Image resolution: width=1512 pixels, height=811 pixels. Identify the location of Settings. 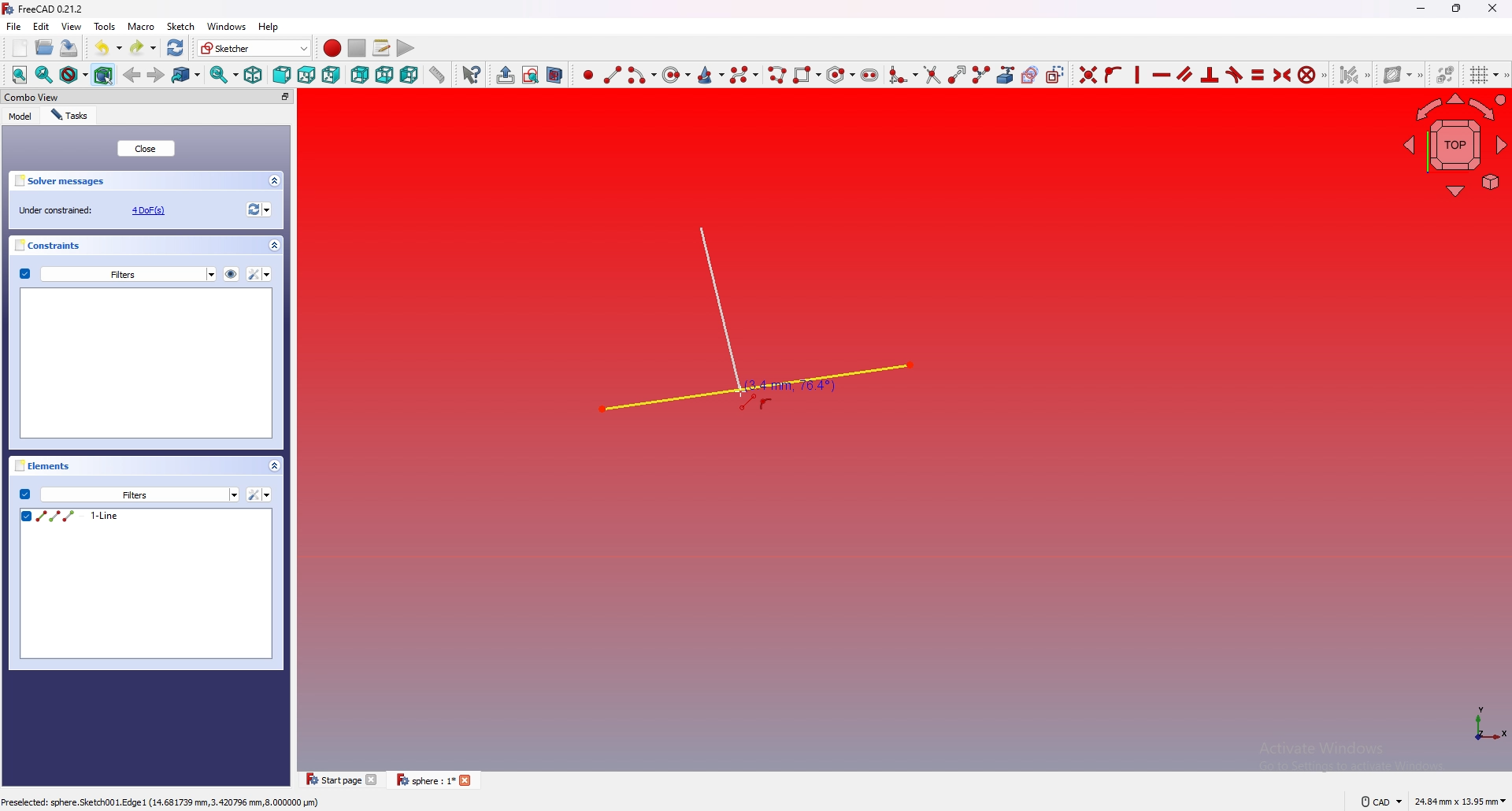
(260, 274).